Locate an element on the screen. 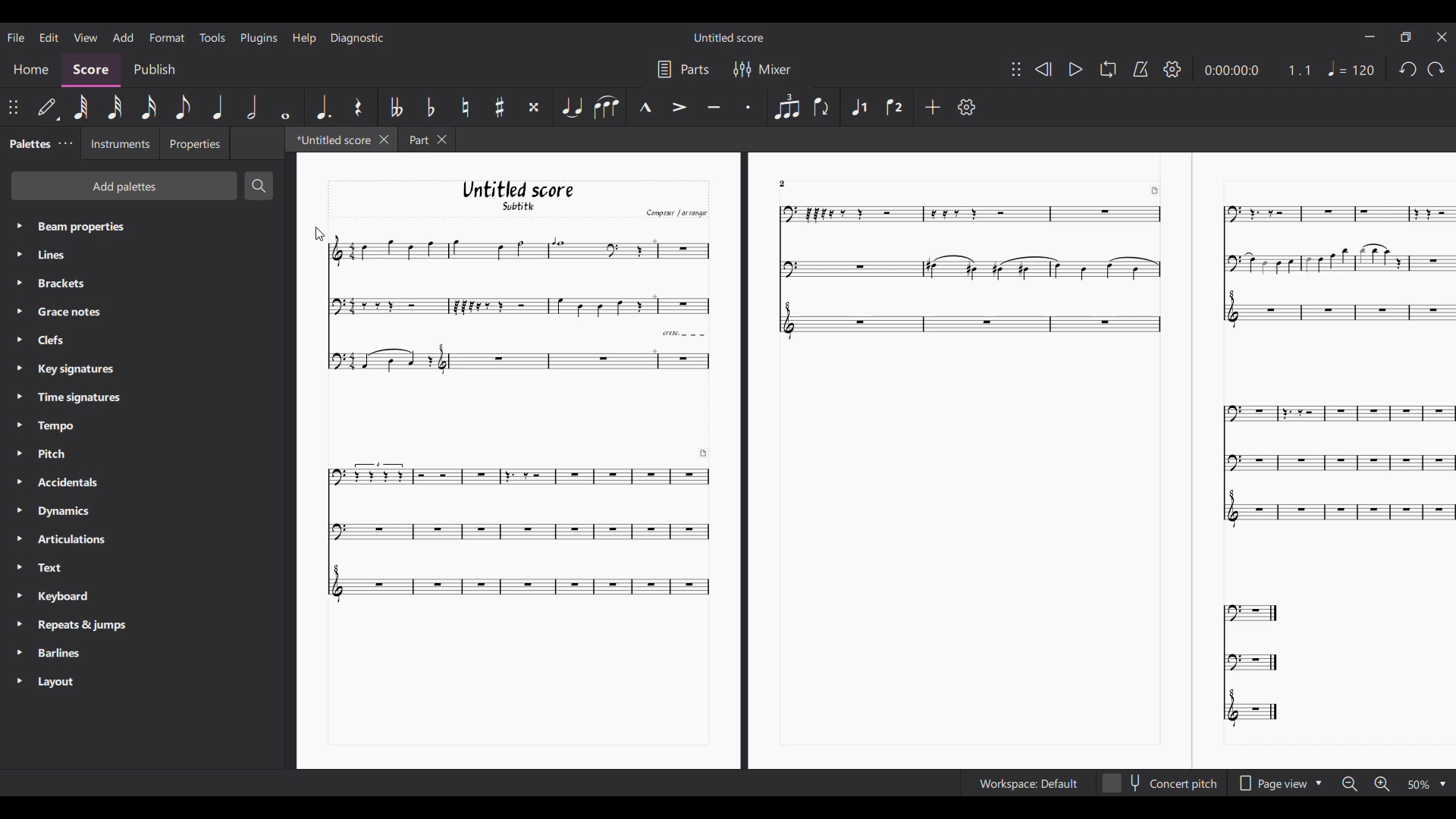  Change position is located at coordinates (13, 108).